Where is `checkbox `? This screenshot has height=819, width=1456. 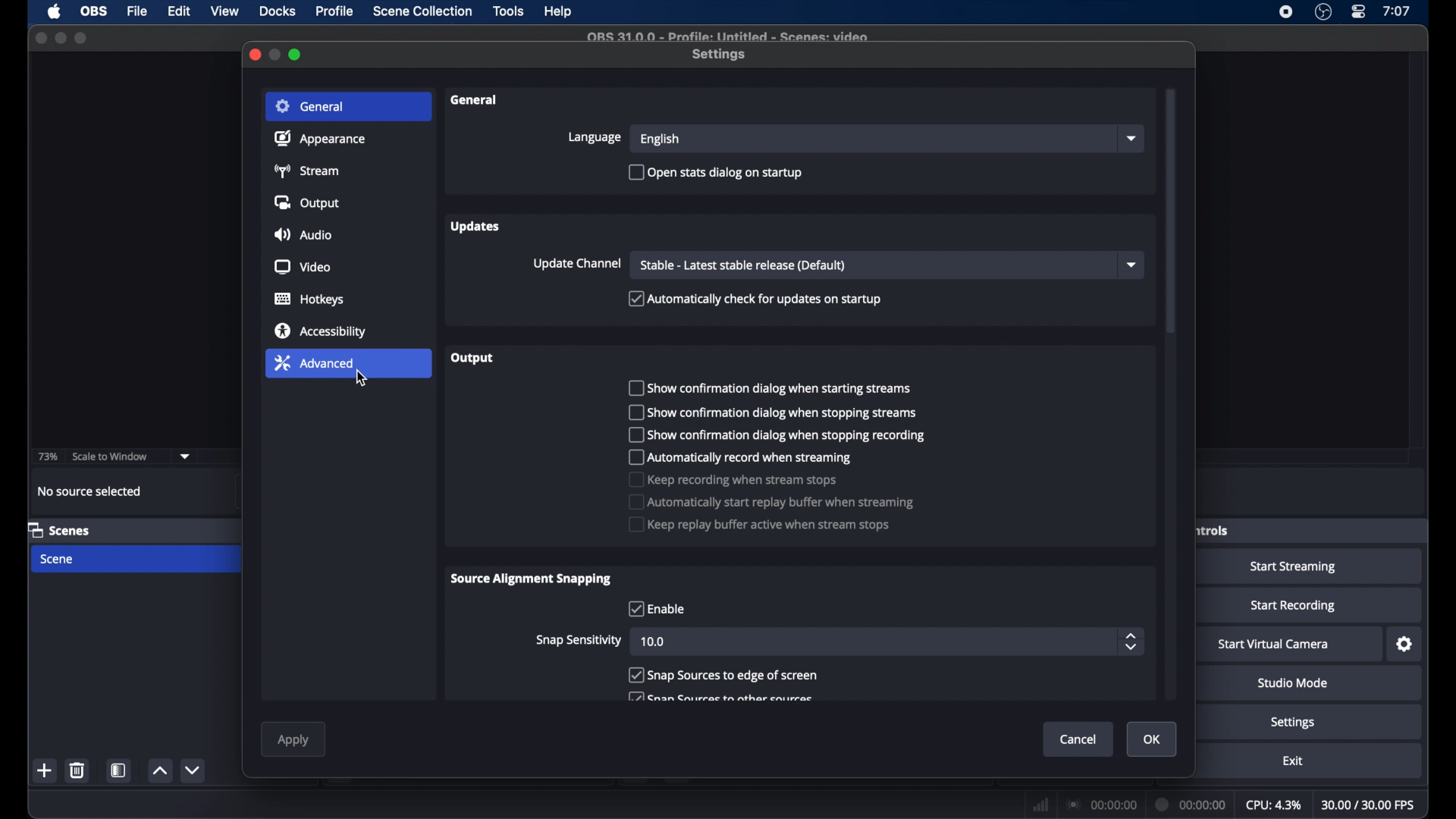 checkbox  is located at coordinates (772, 501).